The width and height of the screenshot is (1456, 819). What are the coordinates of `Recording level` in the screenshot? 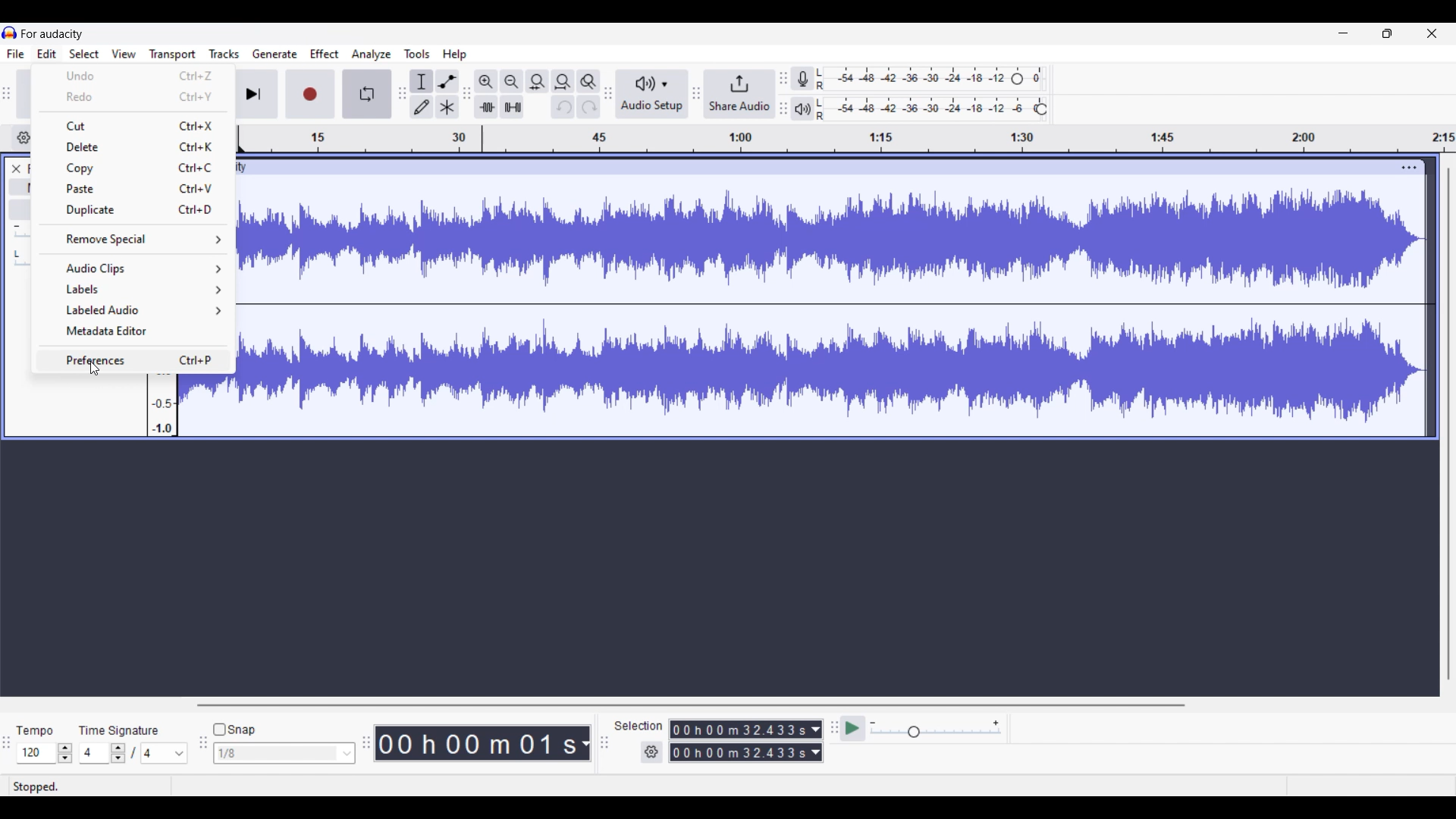 It's located at (912, 79).